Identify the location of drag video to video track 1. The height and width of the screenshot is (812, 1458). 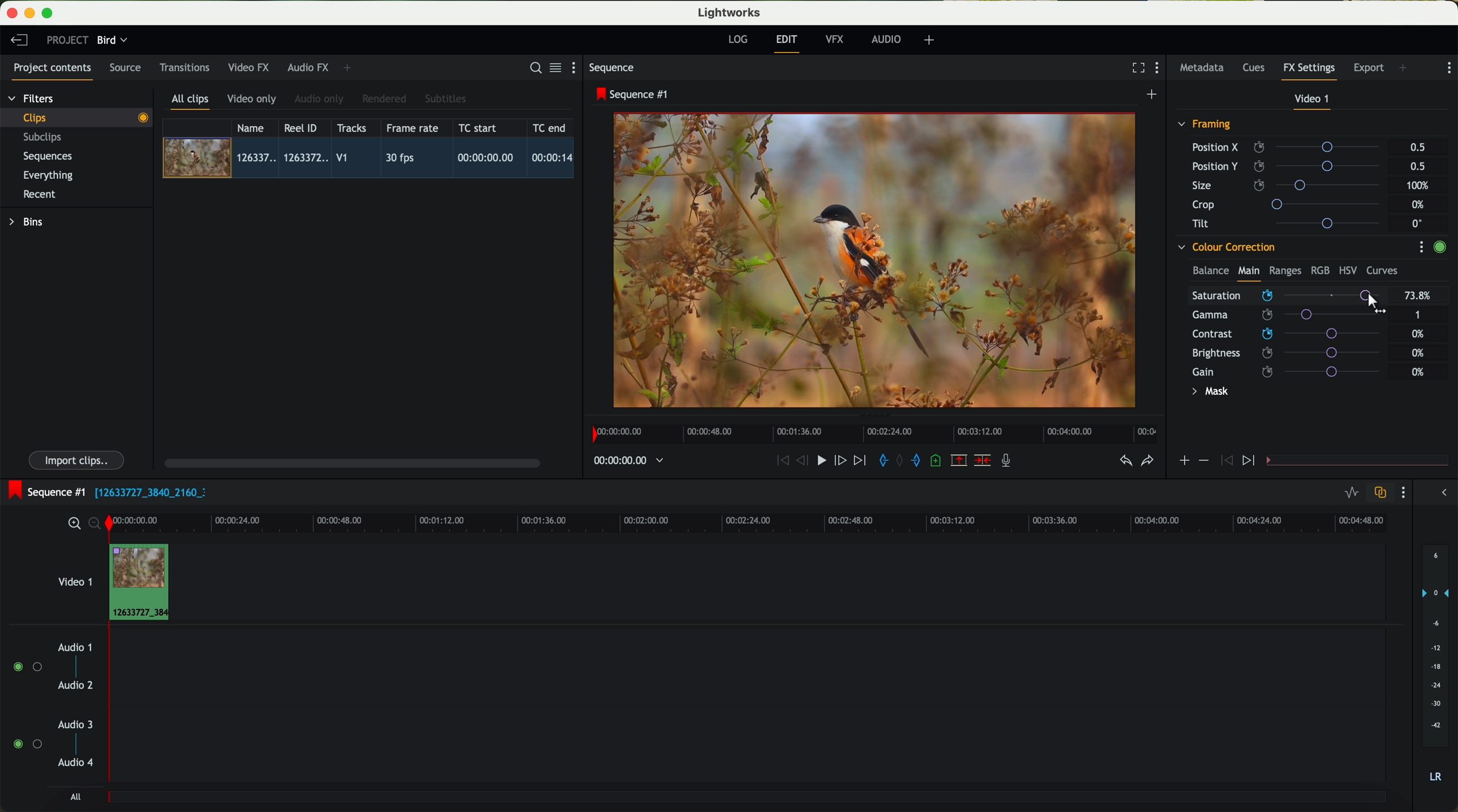
(144, 583).